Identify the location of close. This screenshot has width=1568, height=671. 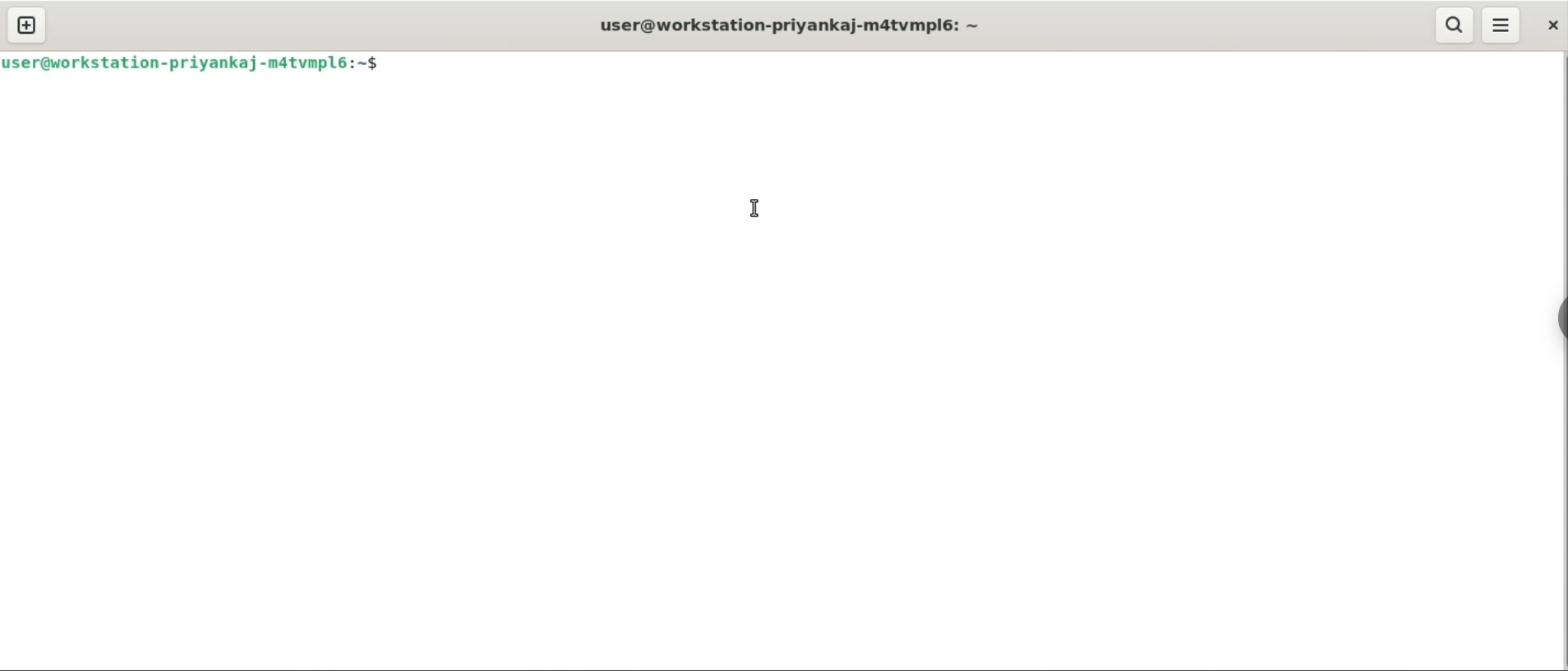
(1548, 26).